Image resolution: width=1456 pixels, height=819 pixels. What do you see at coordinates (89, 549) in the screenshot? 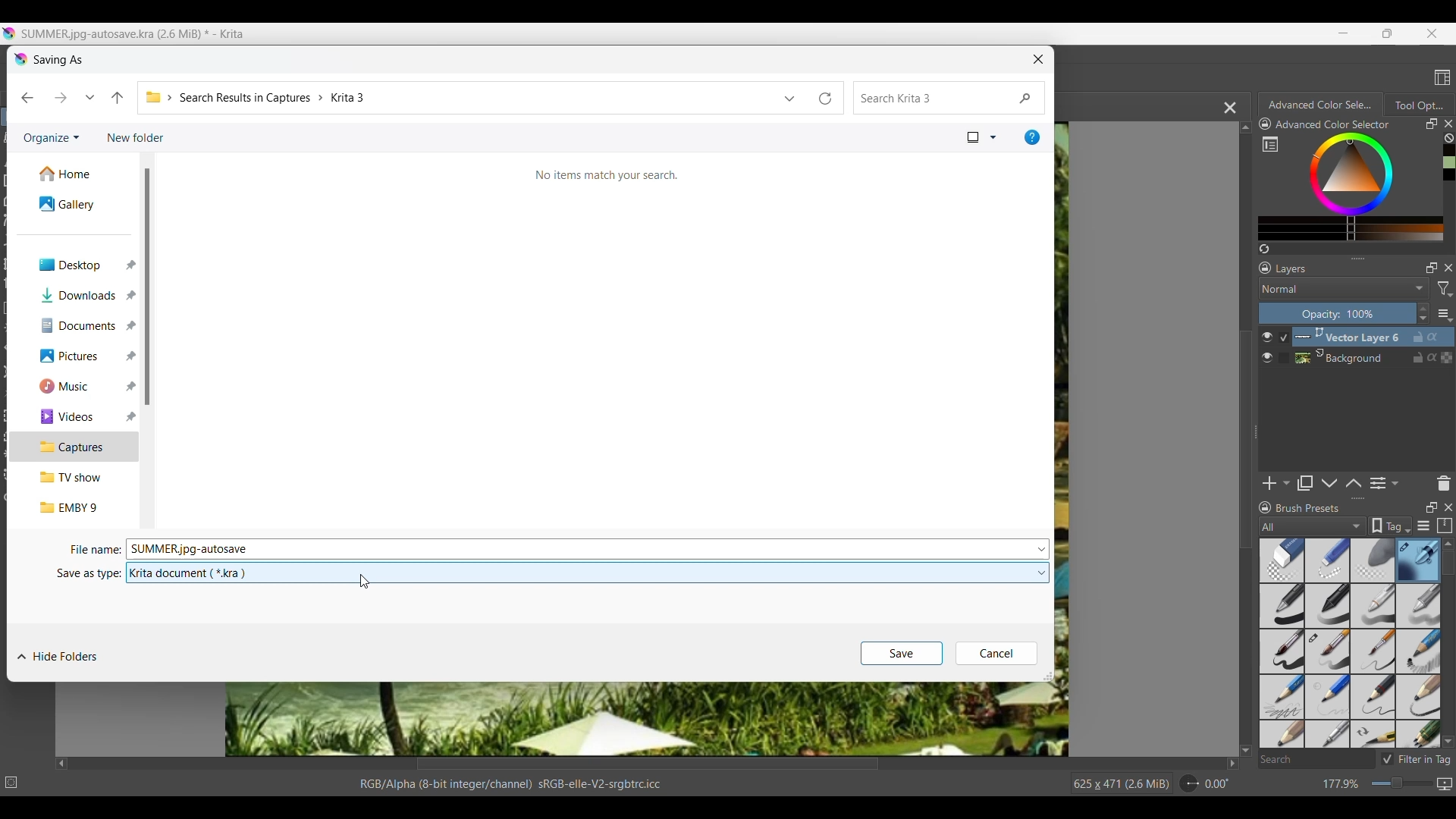
I see `File Name:` at bounding box center [89, 549].